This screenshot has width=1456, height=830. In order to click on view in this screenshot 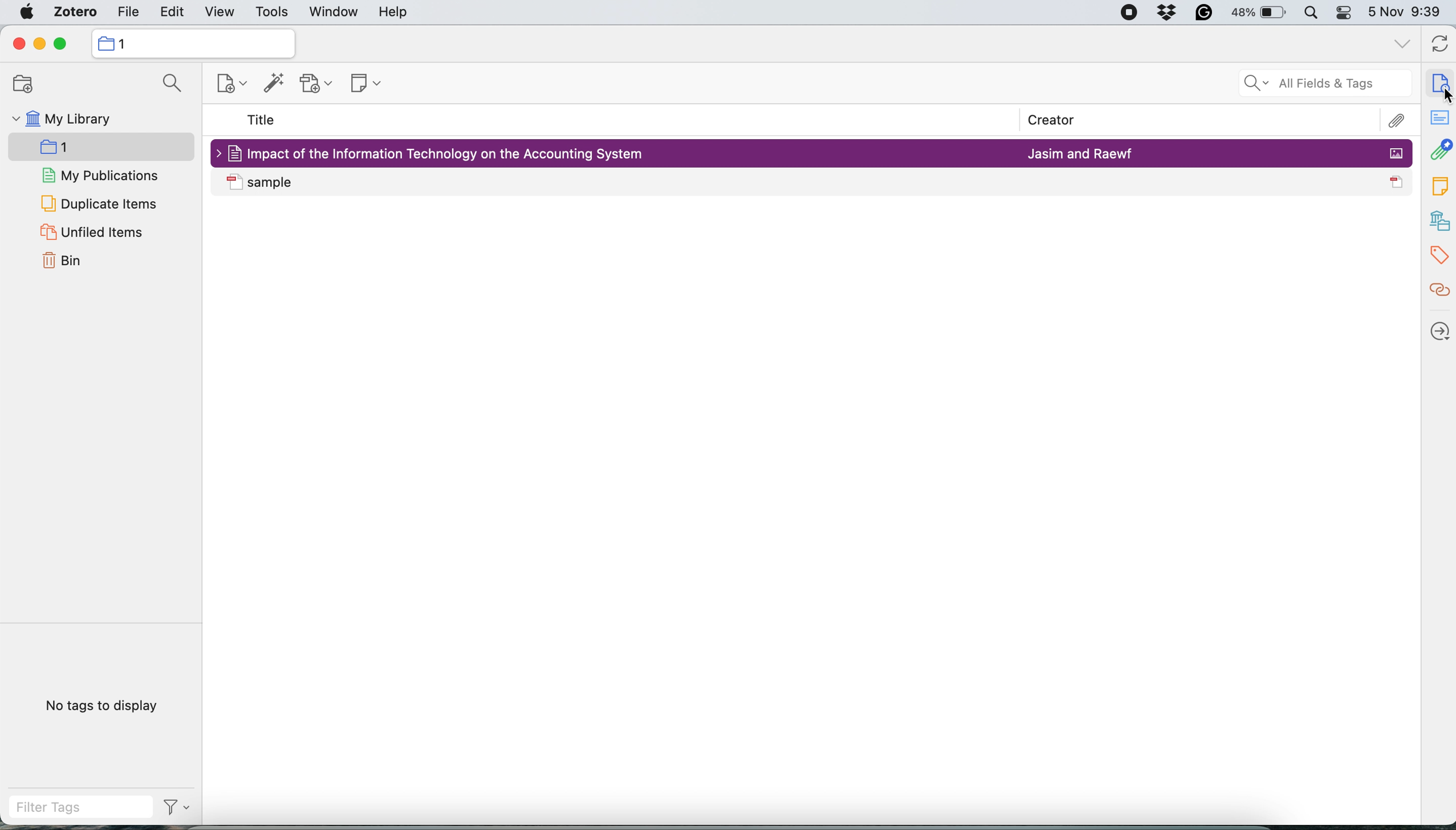, I will do `click(221, 13)`.